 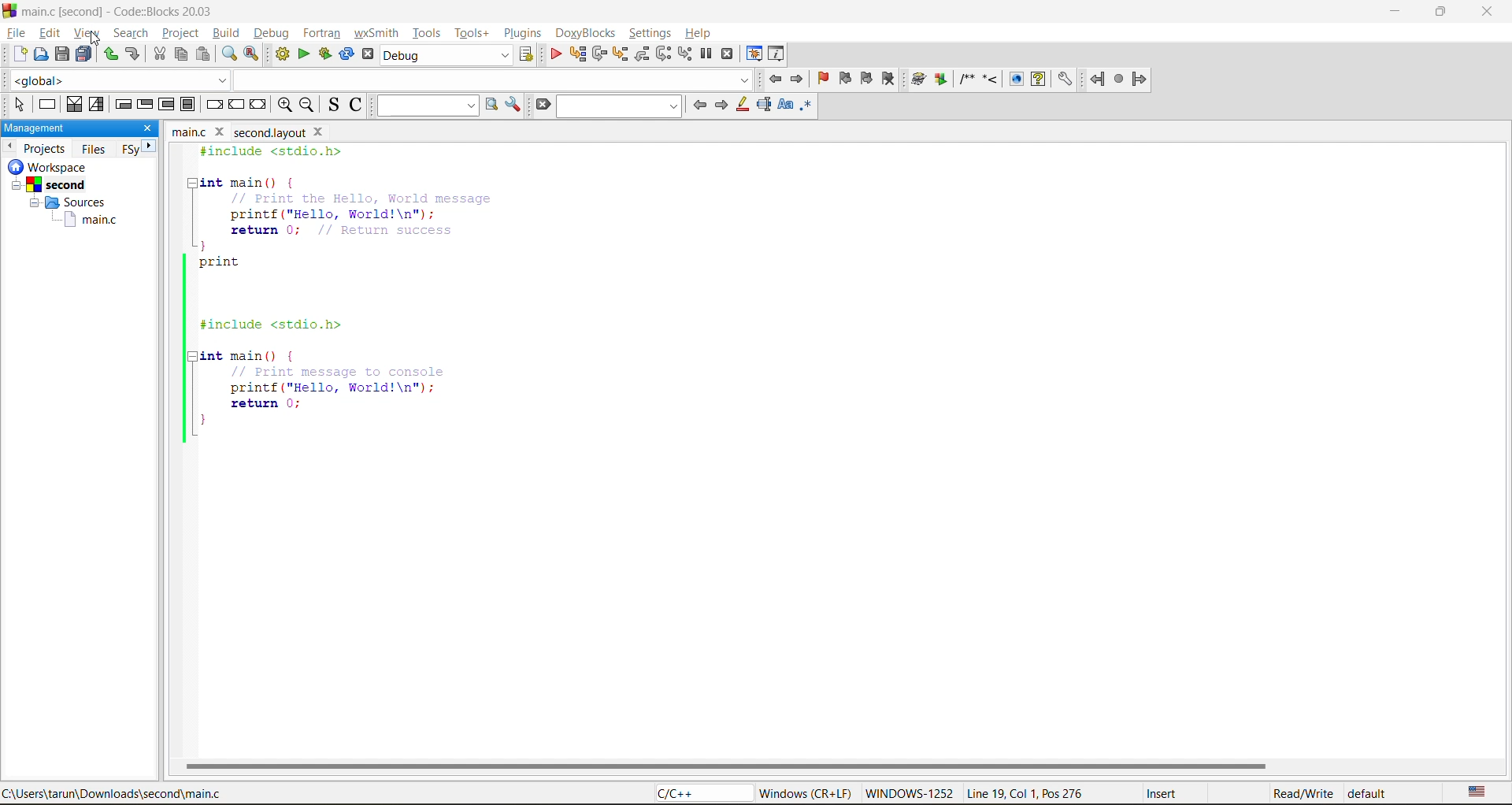 What do you see at coordinates (576, 53) in the screenshot?
I see `run to cursor` at bounding box center [576, 53].